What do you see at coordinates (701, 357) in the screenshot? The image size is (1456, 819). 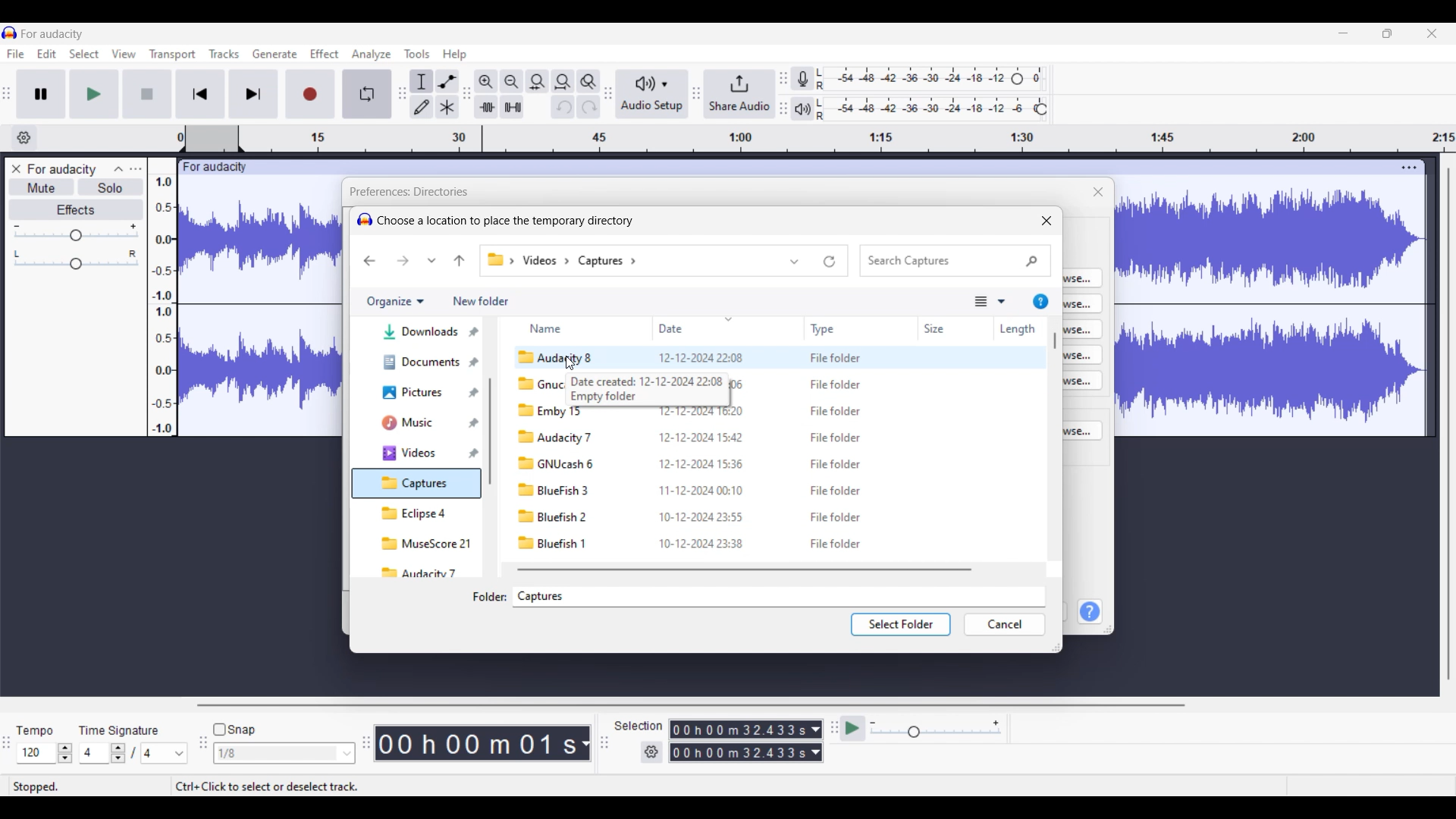 I see `12-12-2024 22:08` at bounding box center [701, 357].